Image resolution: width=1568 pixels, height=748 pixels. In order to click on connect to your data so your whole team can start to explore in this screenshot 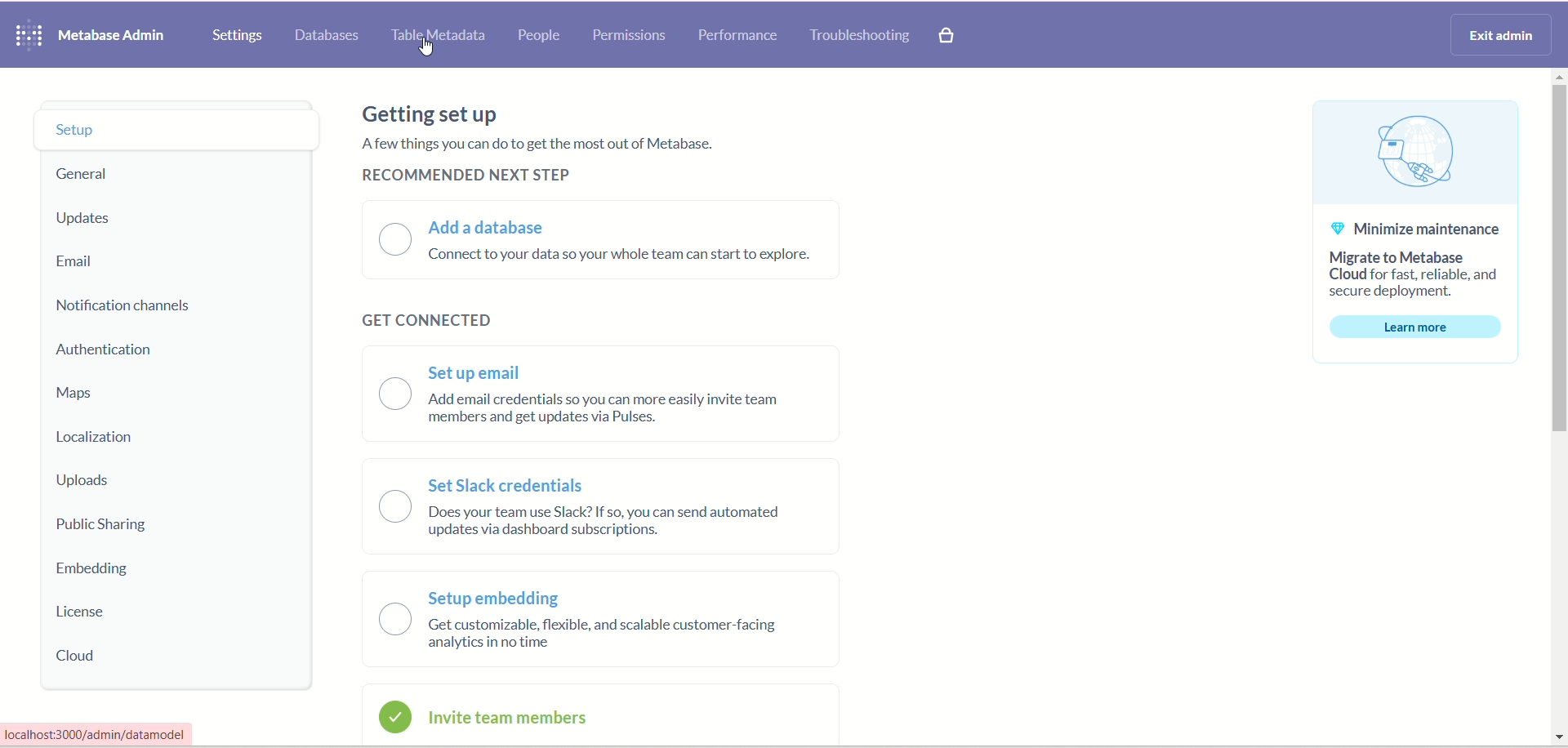, I will do `click(628, 256)`.